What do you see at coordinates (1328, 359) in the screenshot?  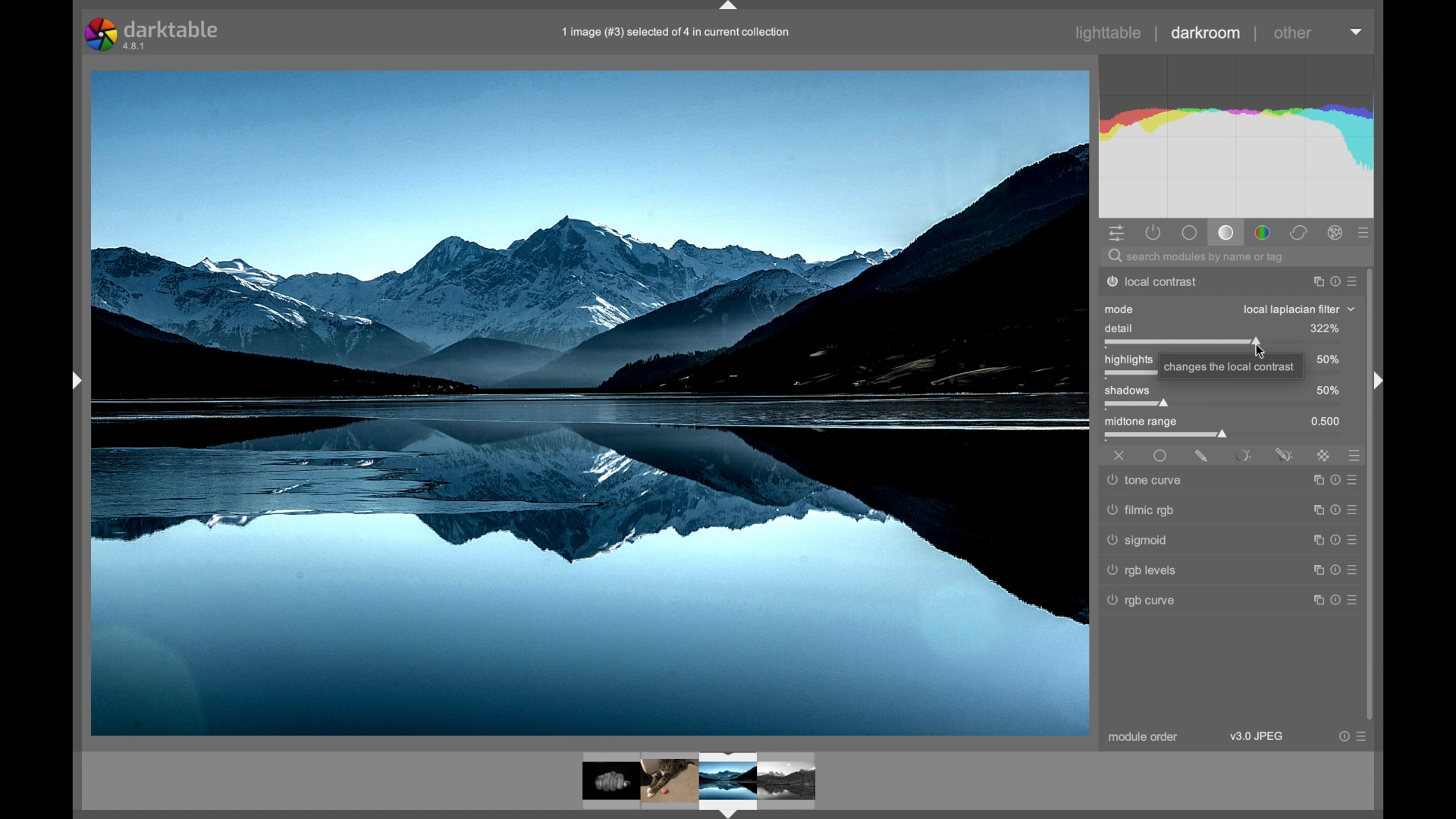 I see `` at bounding box center [1328, 359].